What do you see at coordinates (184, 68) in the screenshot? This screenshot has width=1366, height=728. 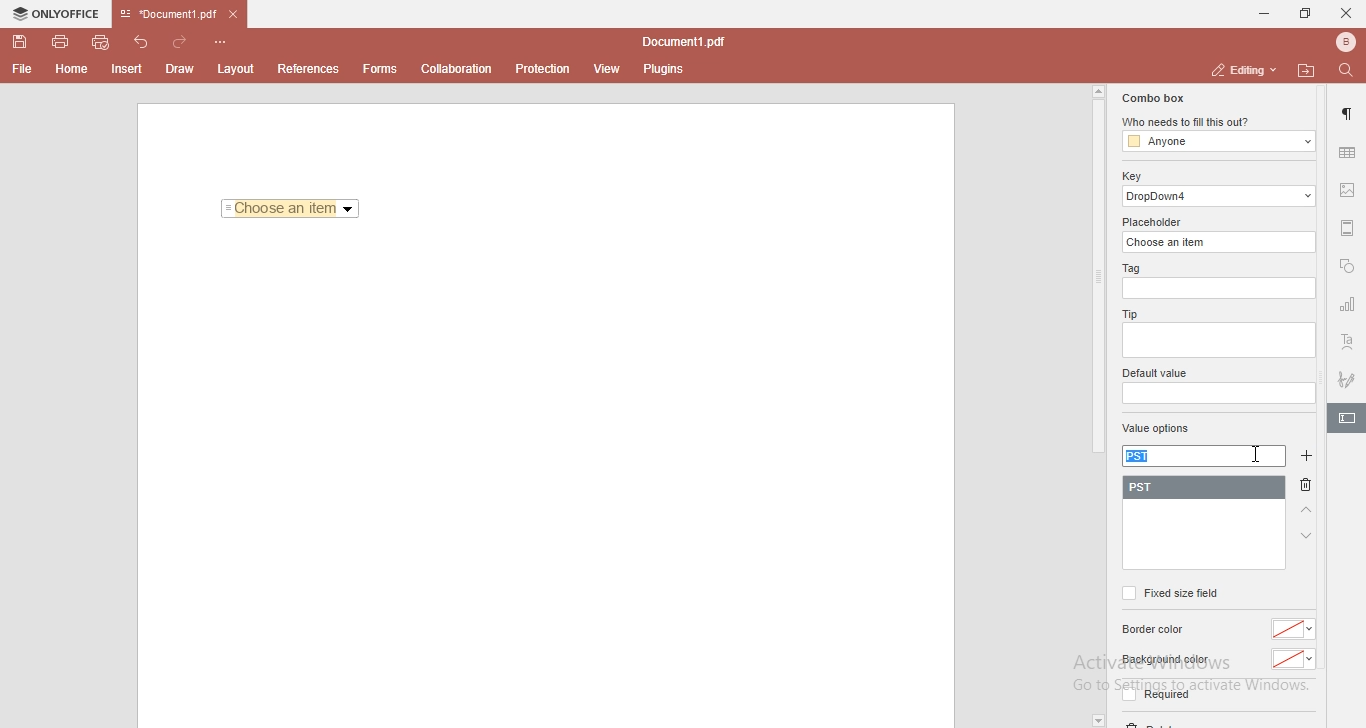 I see `Draw` at bounding box center [184, 68].